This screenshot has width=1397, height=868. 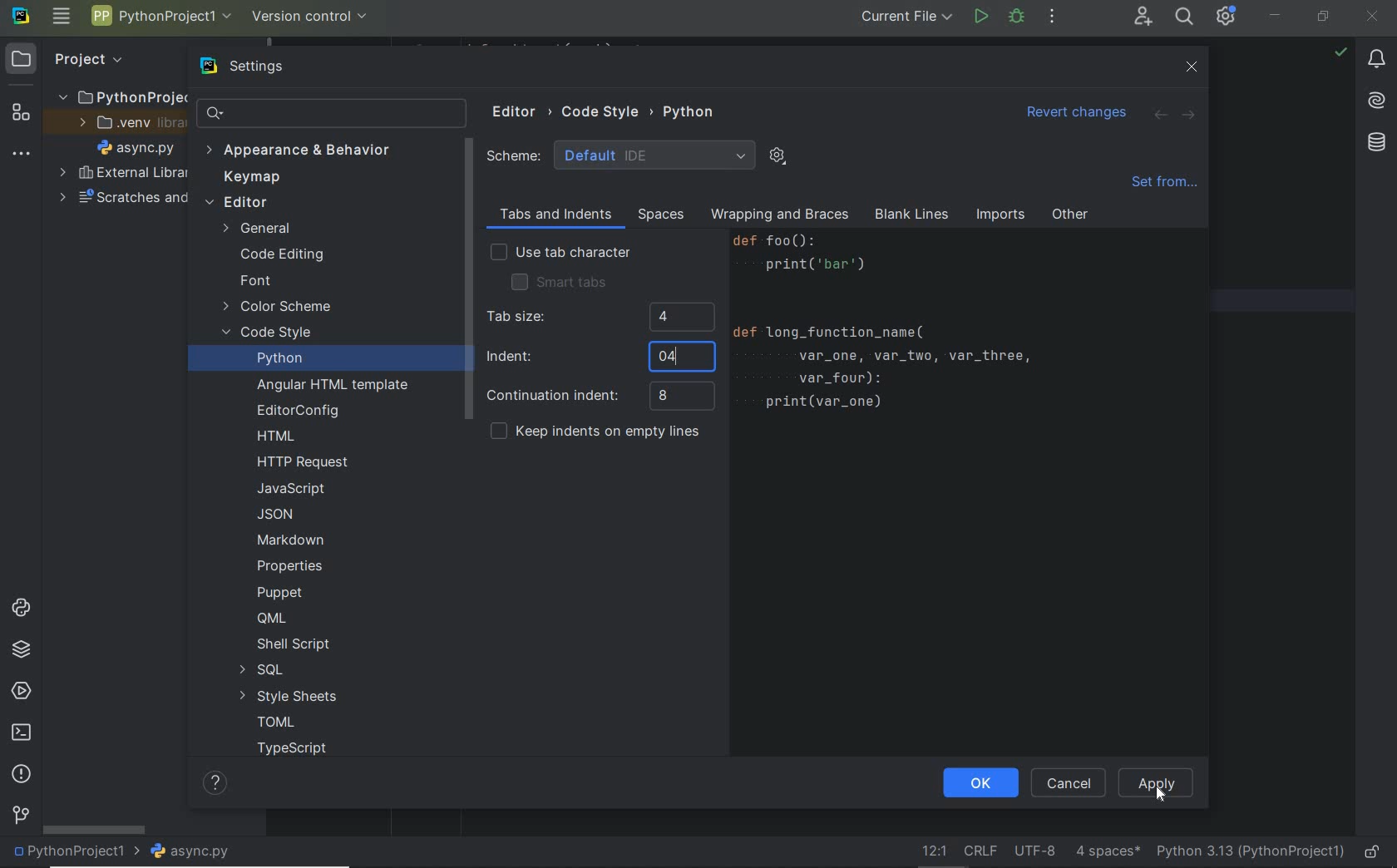 I want to click on wrapping and braces, so click(x=777, y=216).